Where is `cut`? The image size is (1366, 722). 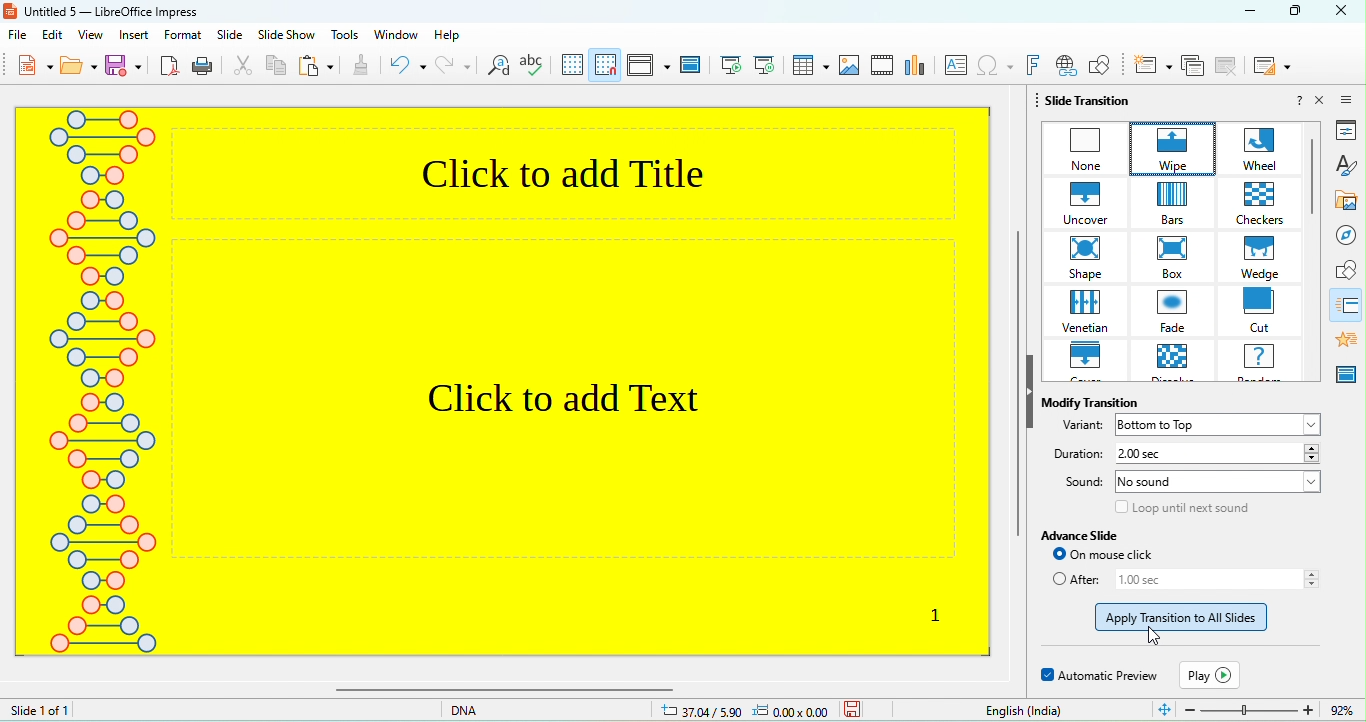 cut is located at coordinates (1263, 311).